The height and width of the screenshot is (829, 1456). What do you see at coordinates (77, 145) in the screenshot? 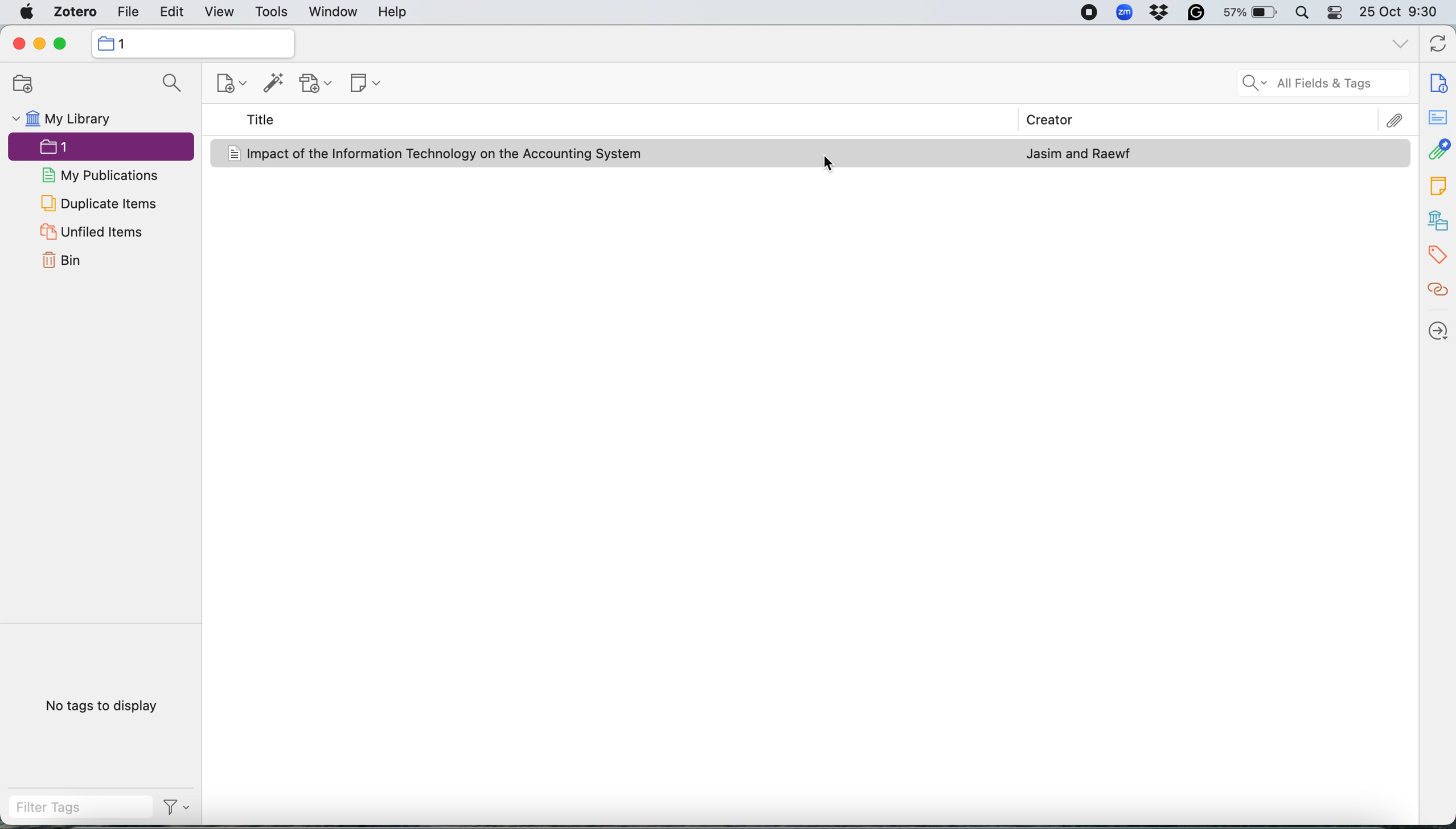
I see `collection` at bounding box center [77, 145].